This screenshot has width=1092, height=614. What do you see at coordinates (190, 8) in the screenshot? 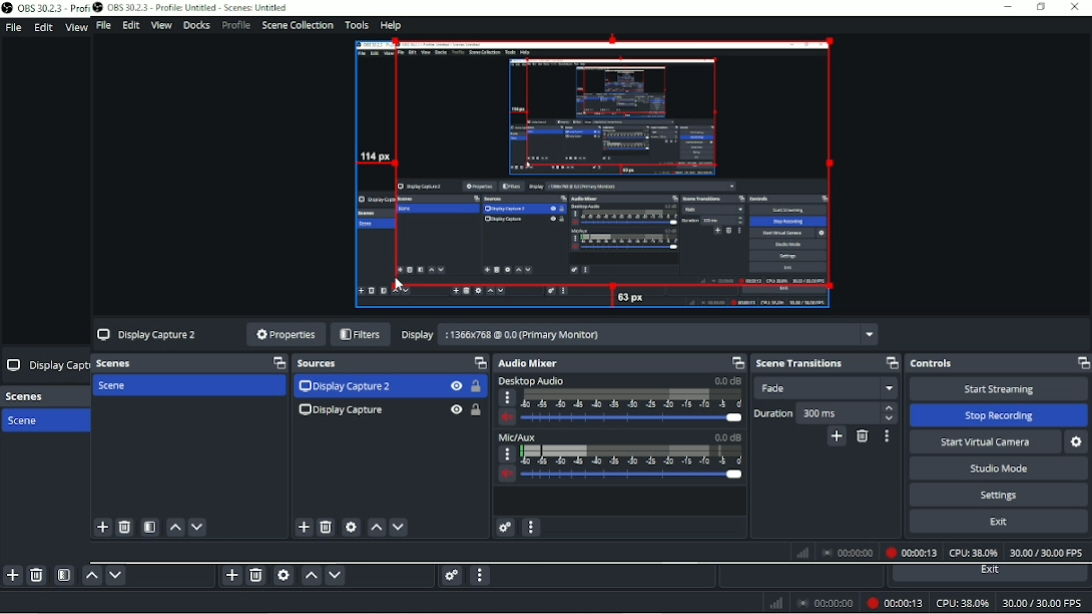
I see `OBS 30.2.3 - Profile Untitled - Scenes: Untitled` at bounding box center [190, 8].